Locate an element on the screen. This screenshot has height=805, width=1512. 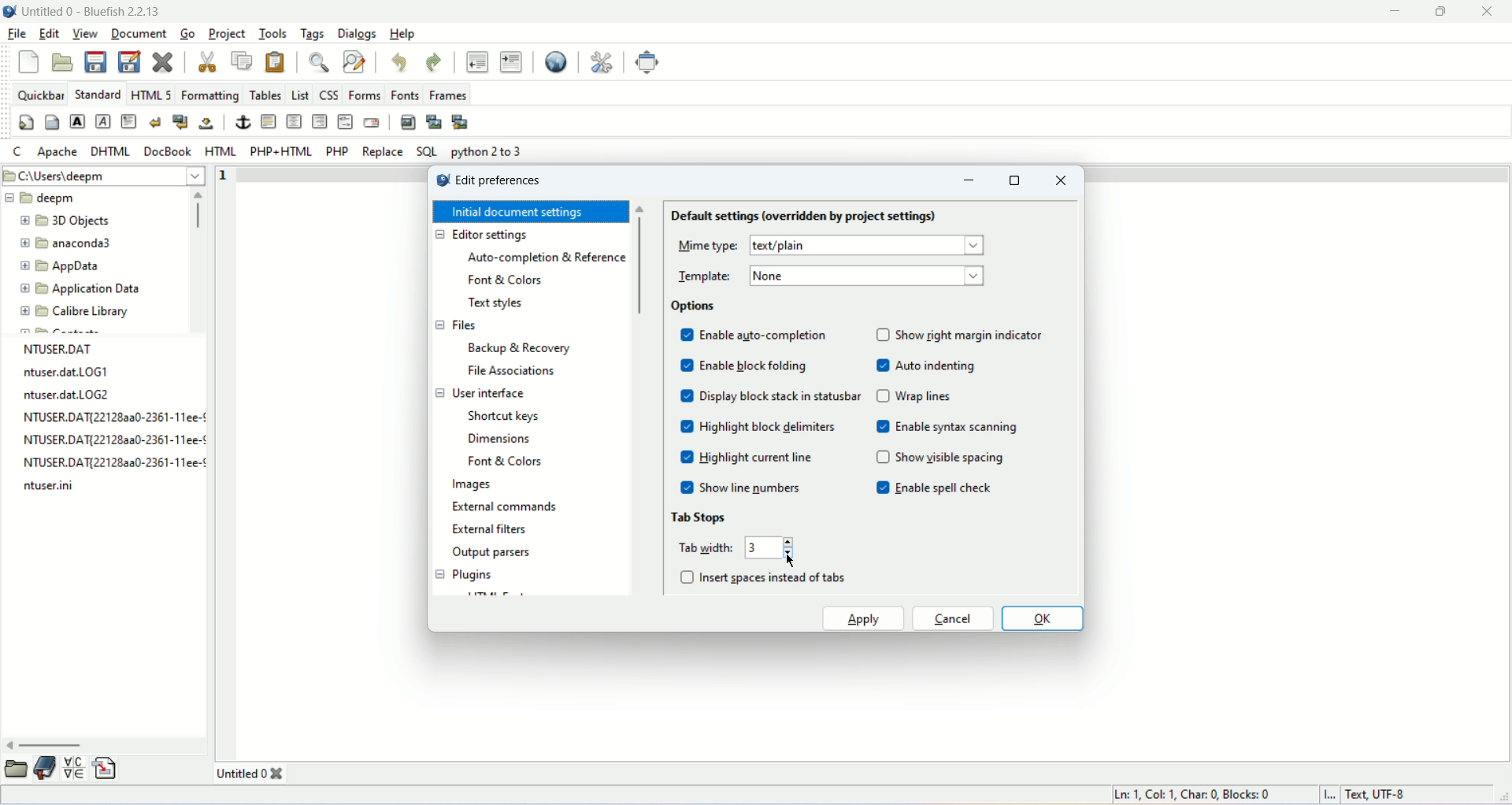
check box is located at coordinates (880, 413).